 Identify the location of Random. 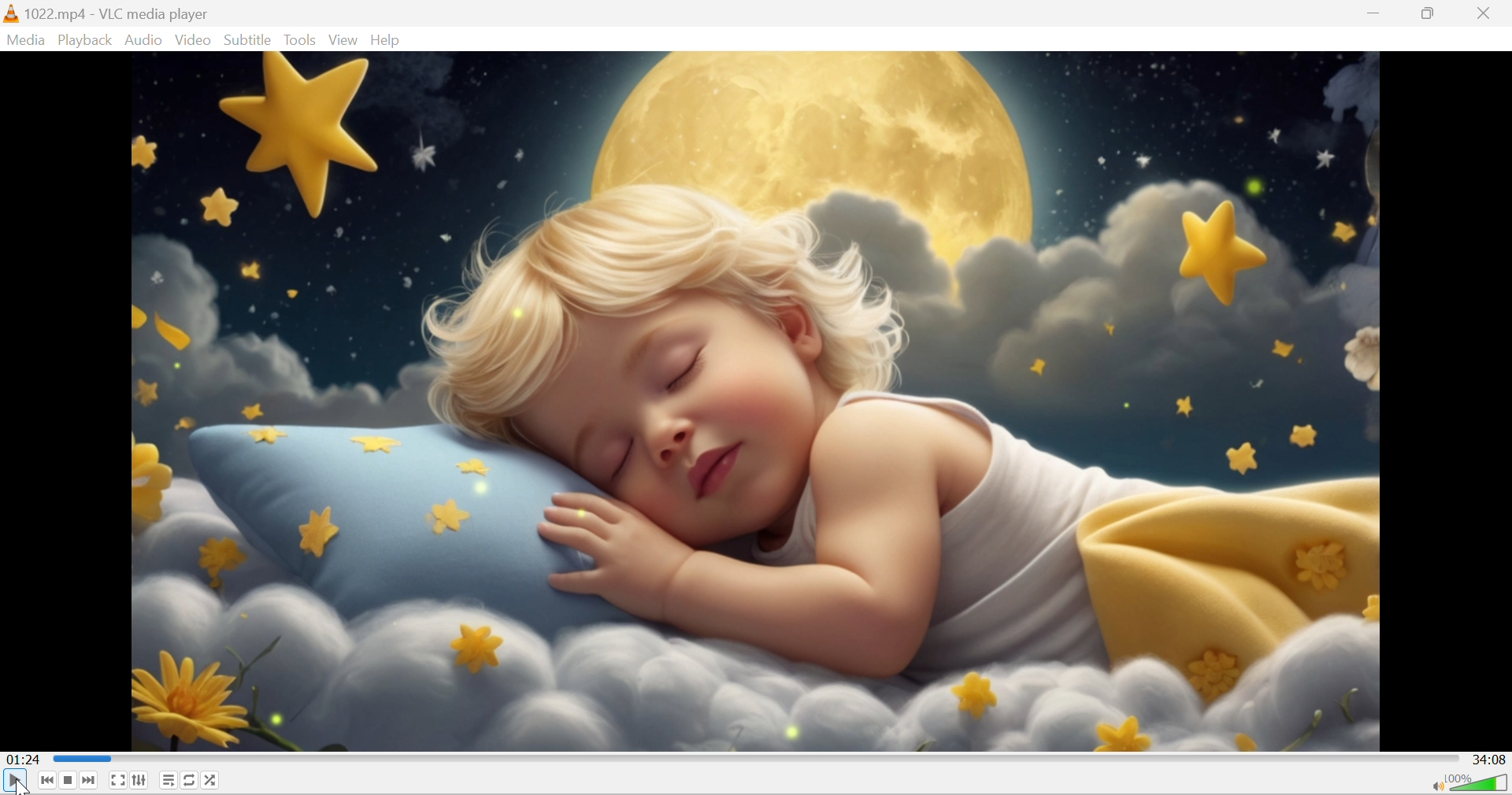
(212, 780).